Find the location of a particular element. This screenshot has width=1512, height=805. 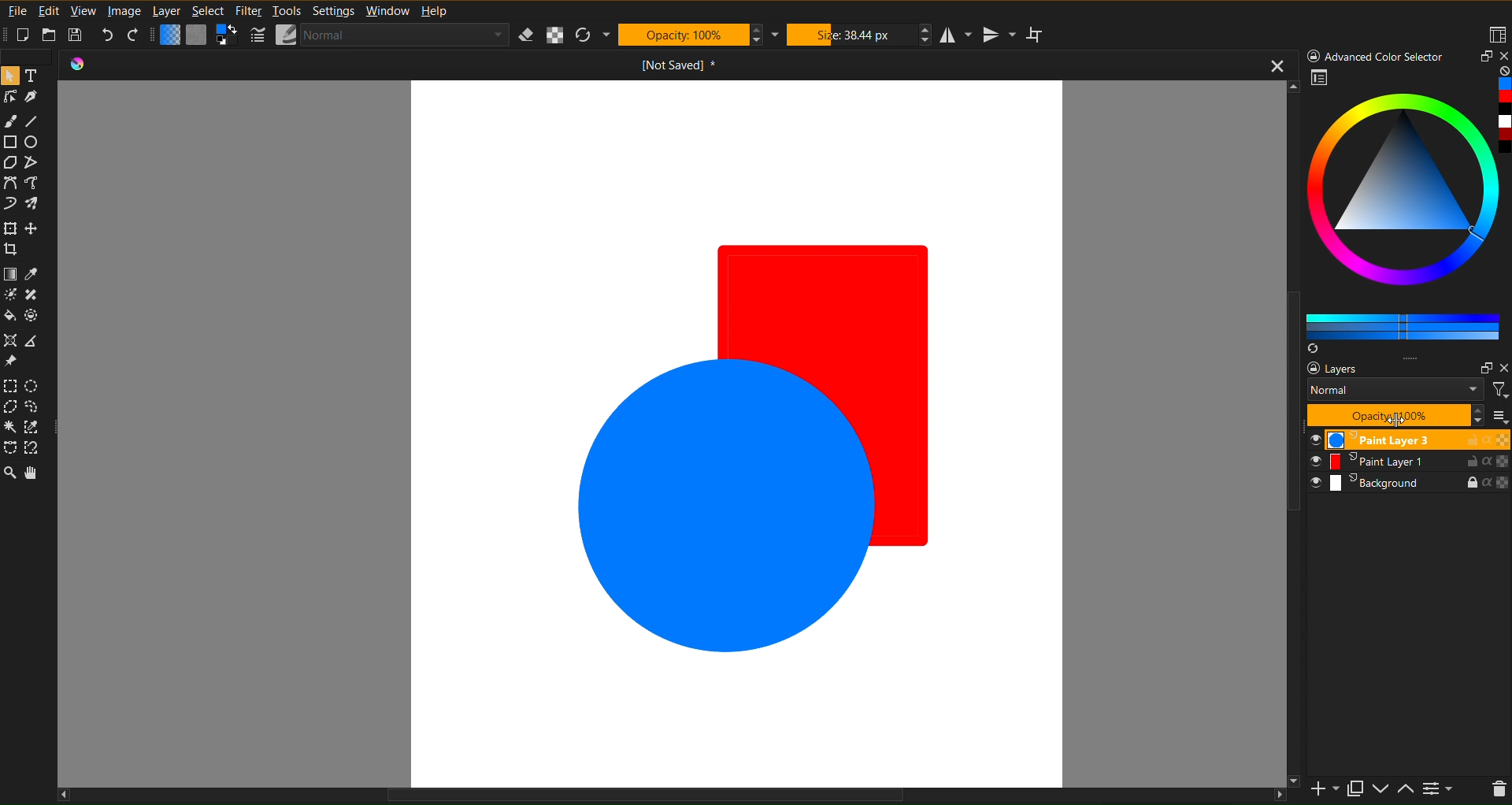

Zoom is located at coordinates (9, 477).